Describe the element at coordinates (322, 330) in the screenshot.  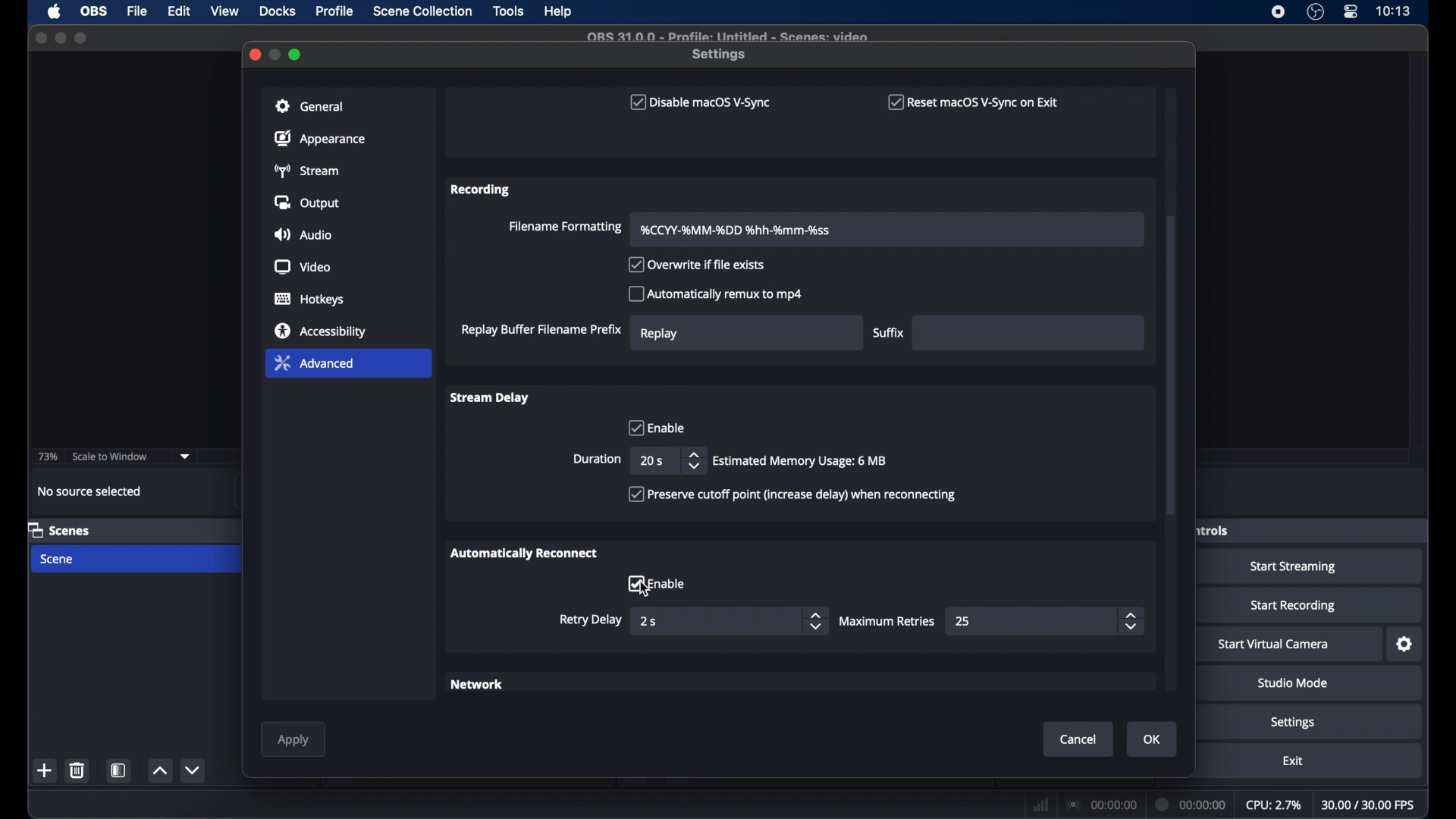
I see `accessibility ` at that location.